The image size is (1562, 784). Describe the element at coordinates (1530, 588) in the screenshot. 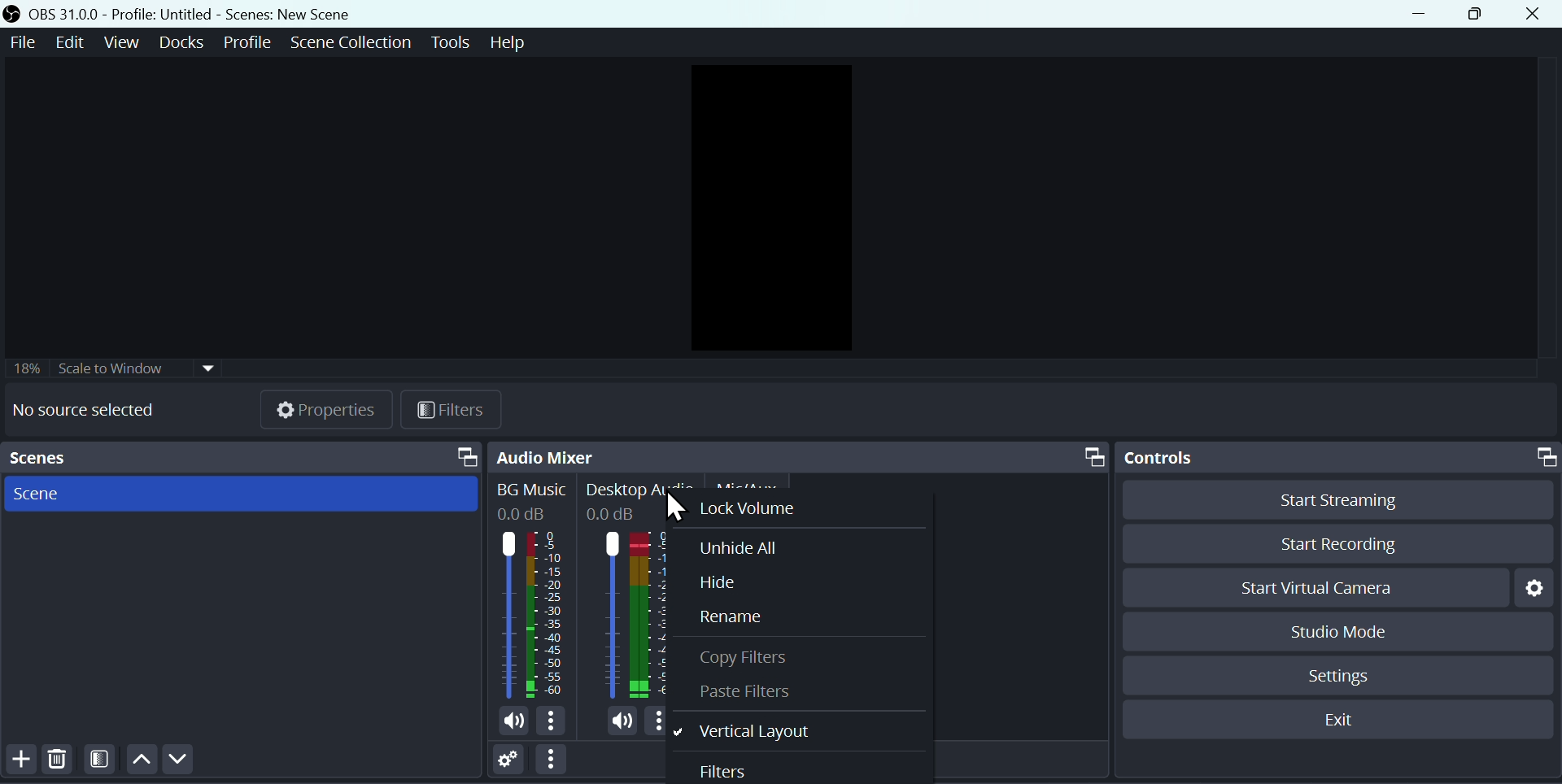

I see `Settings` at that location.